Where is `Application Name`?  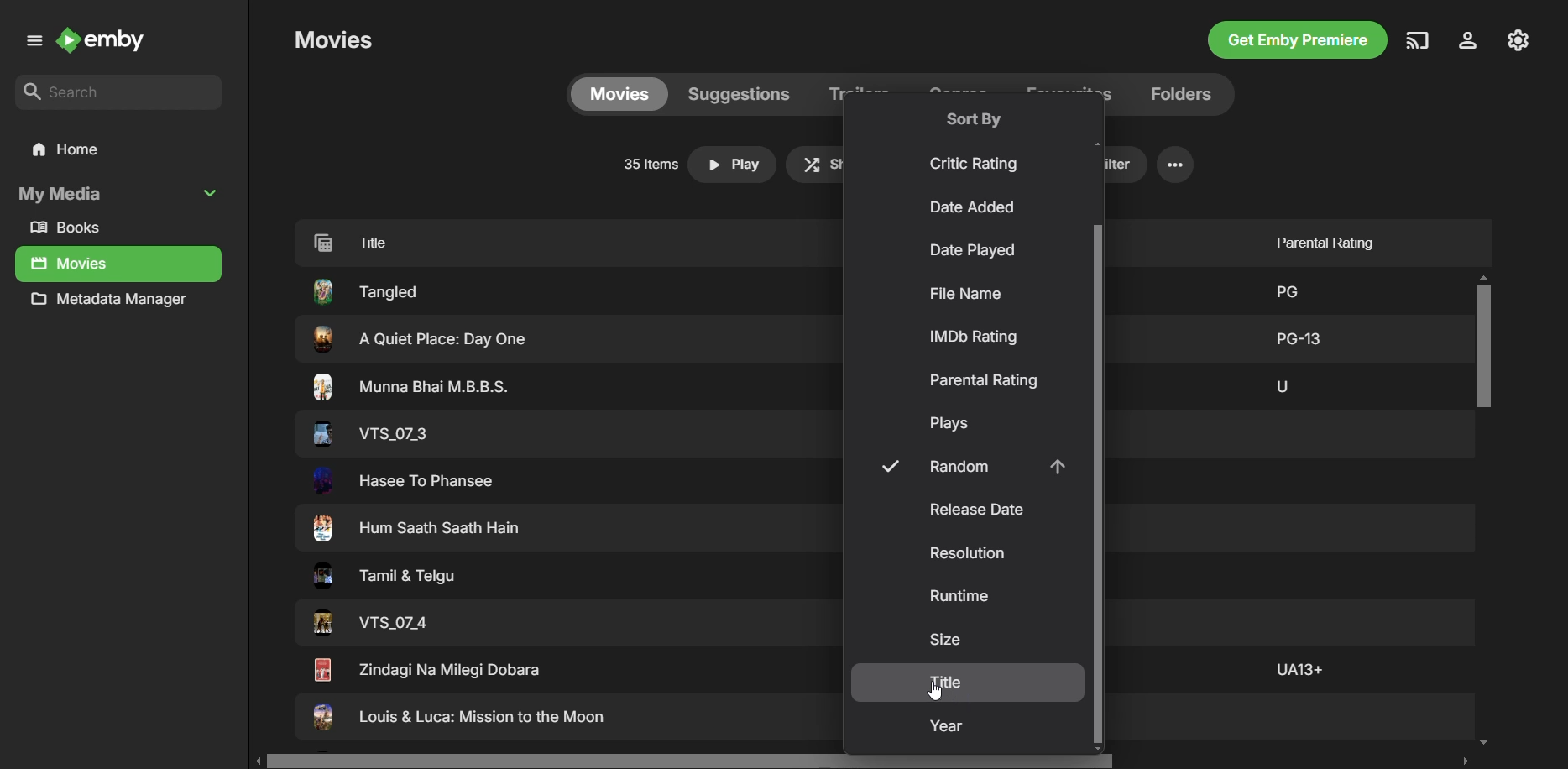 Application Name is located at coordinates (107, 42).